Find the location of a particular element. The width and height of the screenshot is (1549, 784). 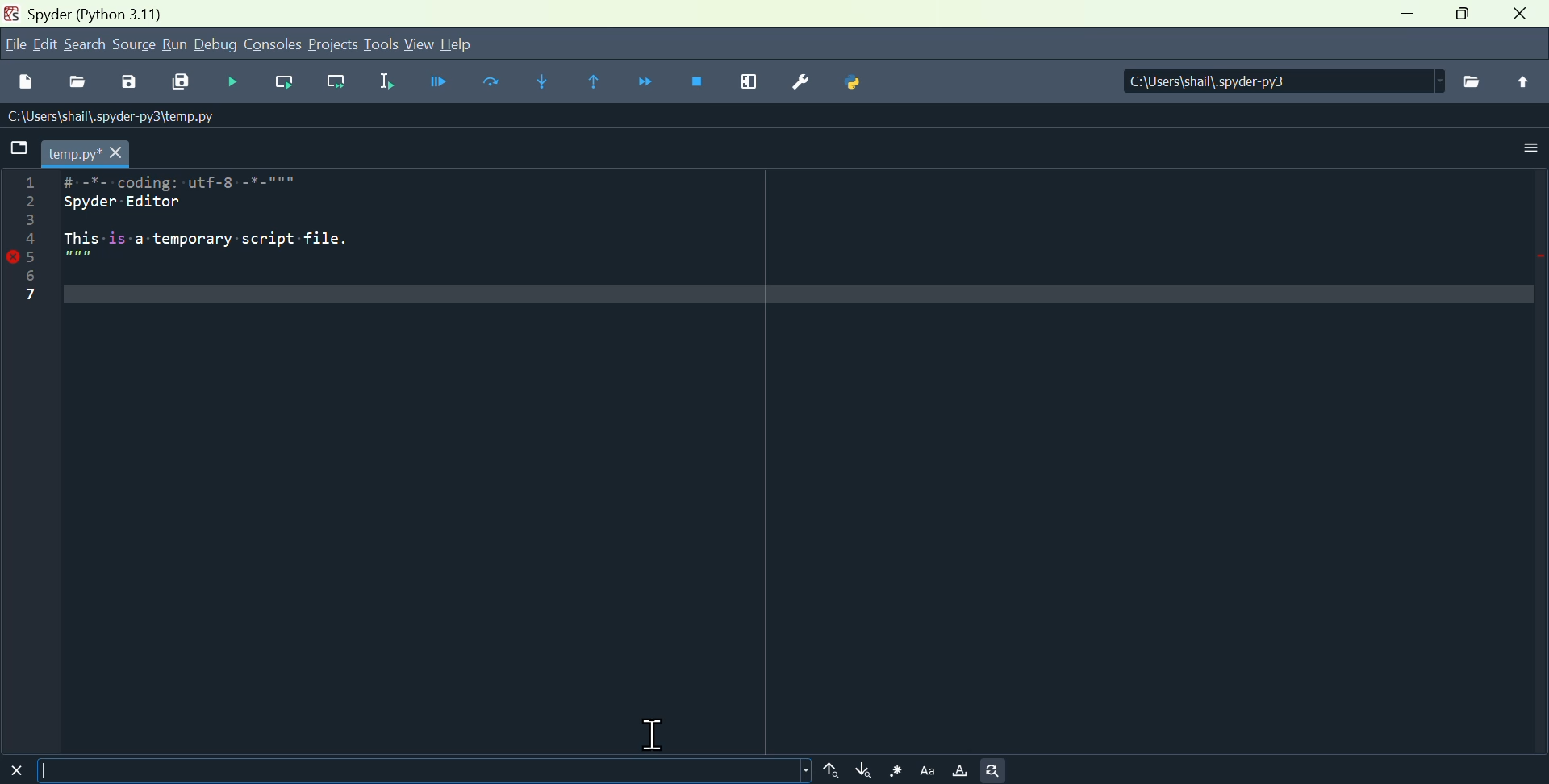

Stop debugging is located at coordinates (696, 83).